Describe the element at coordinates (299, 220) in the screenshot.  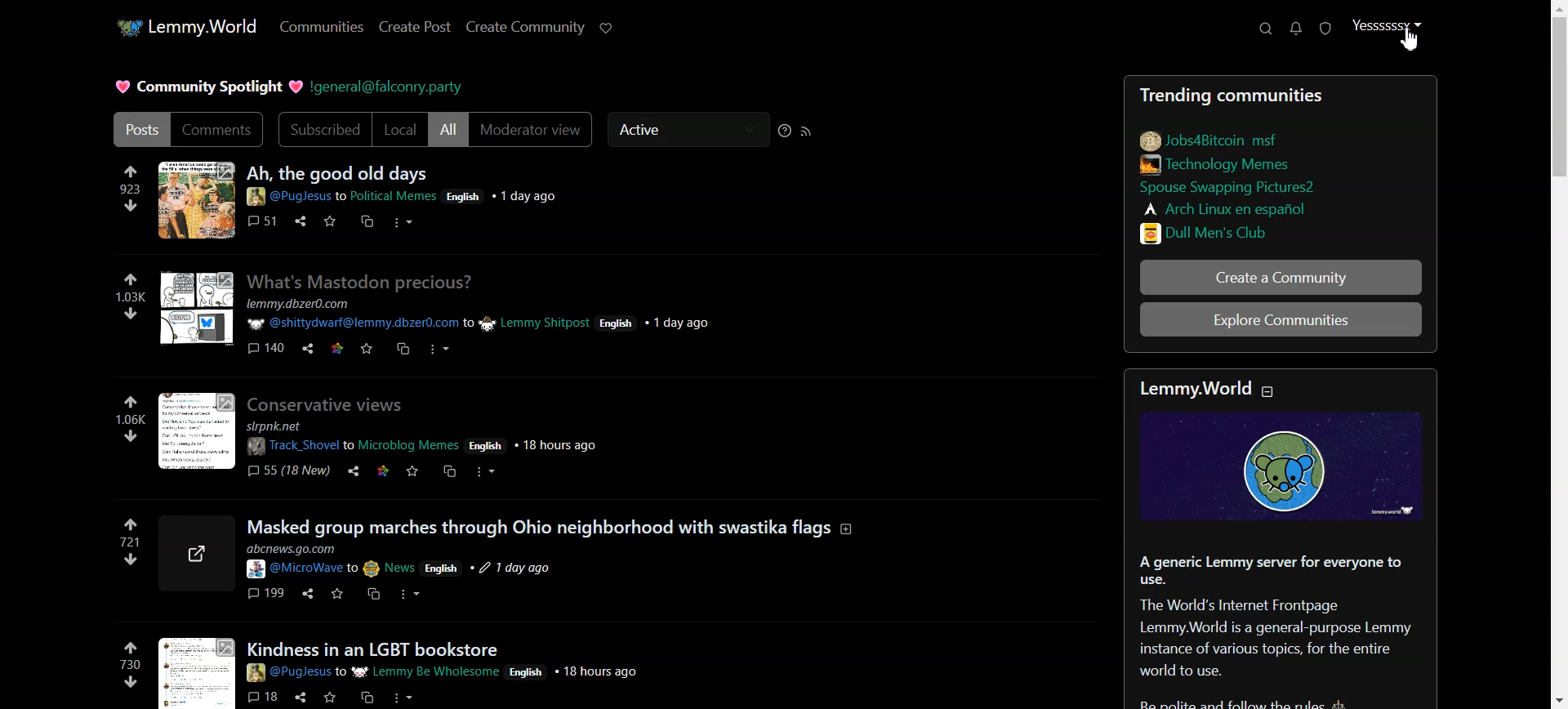
I see `` at that location.